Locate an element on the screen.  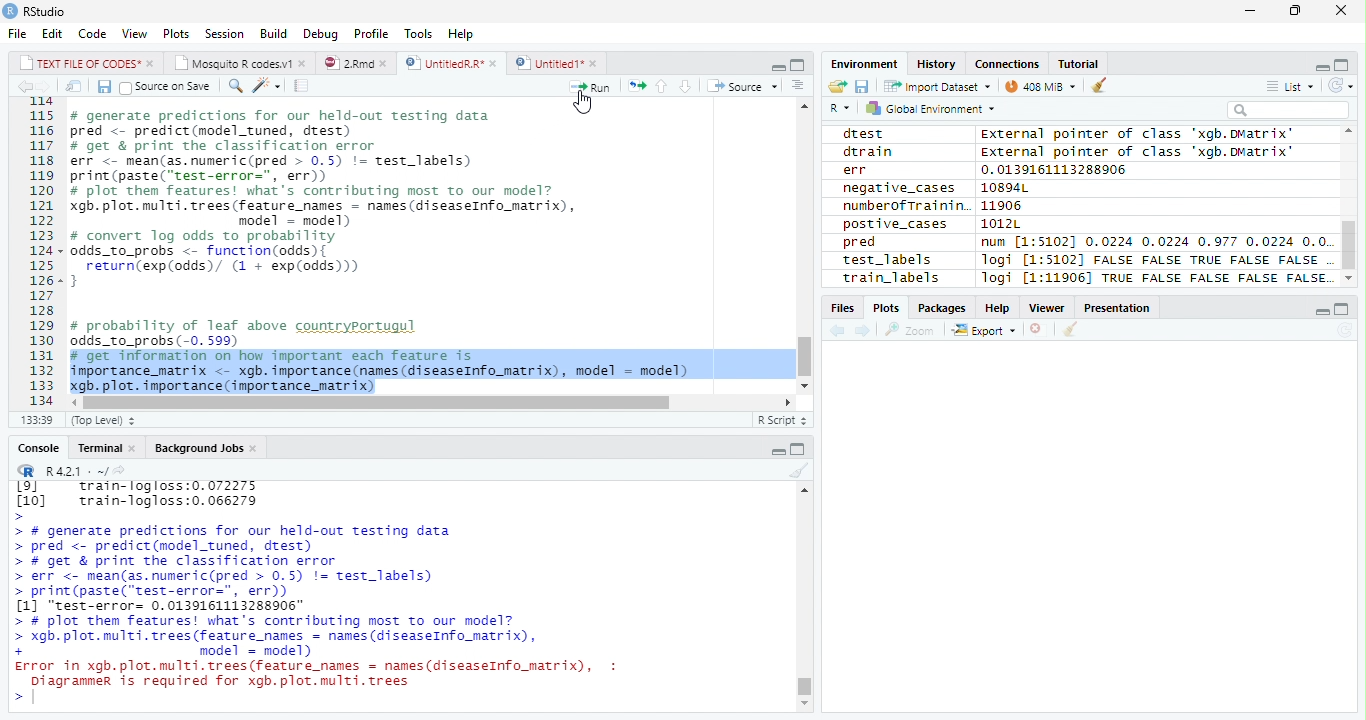
Help is located at coordinates (995, 307).